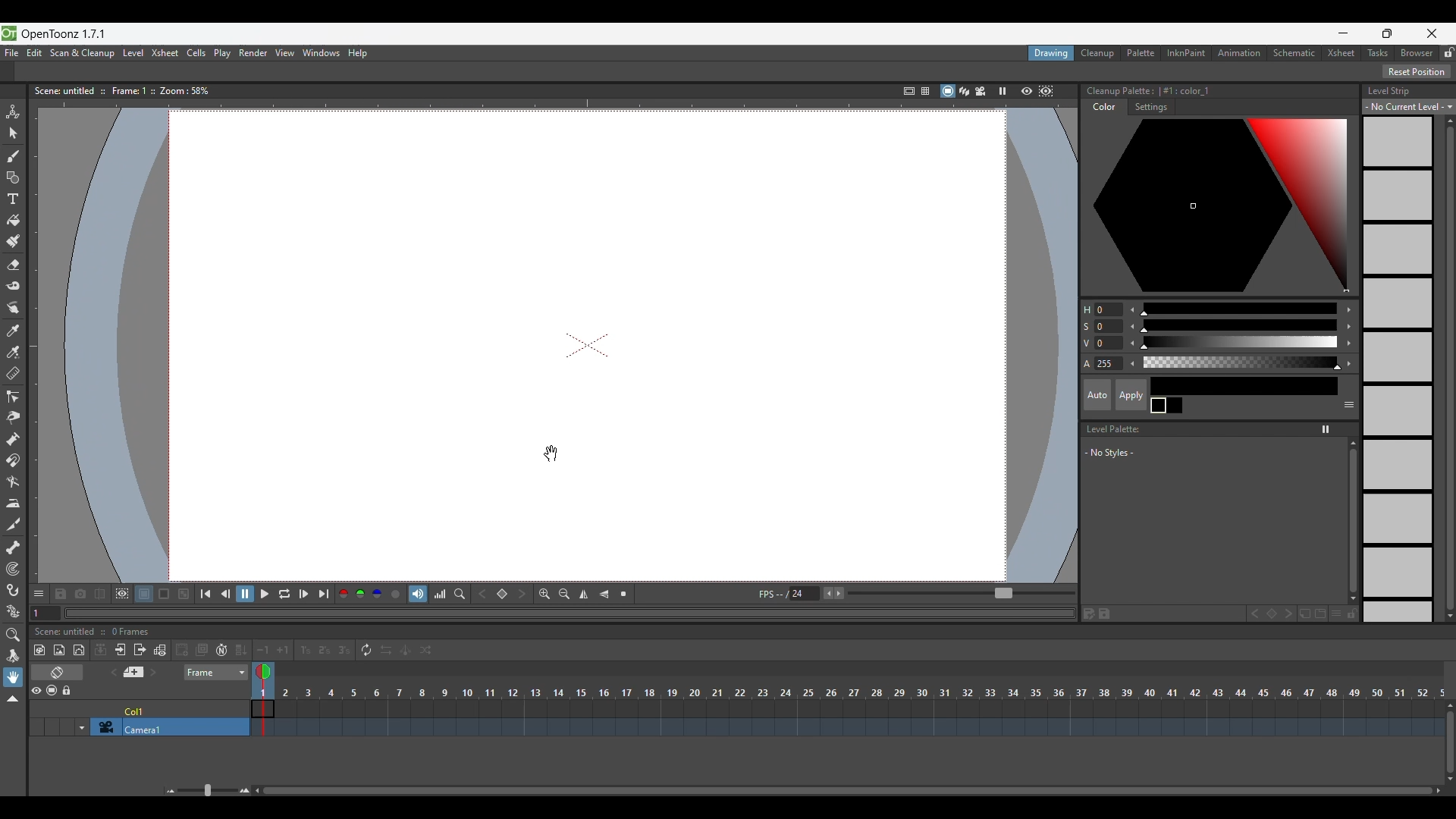 This screenshot has height=819, width=1456. I want to click on Vertical slide bar, so click(1449, 369).